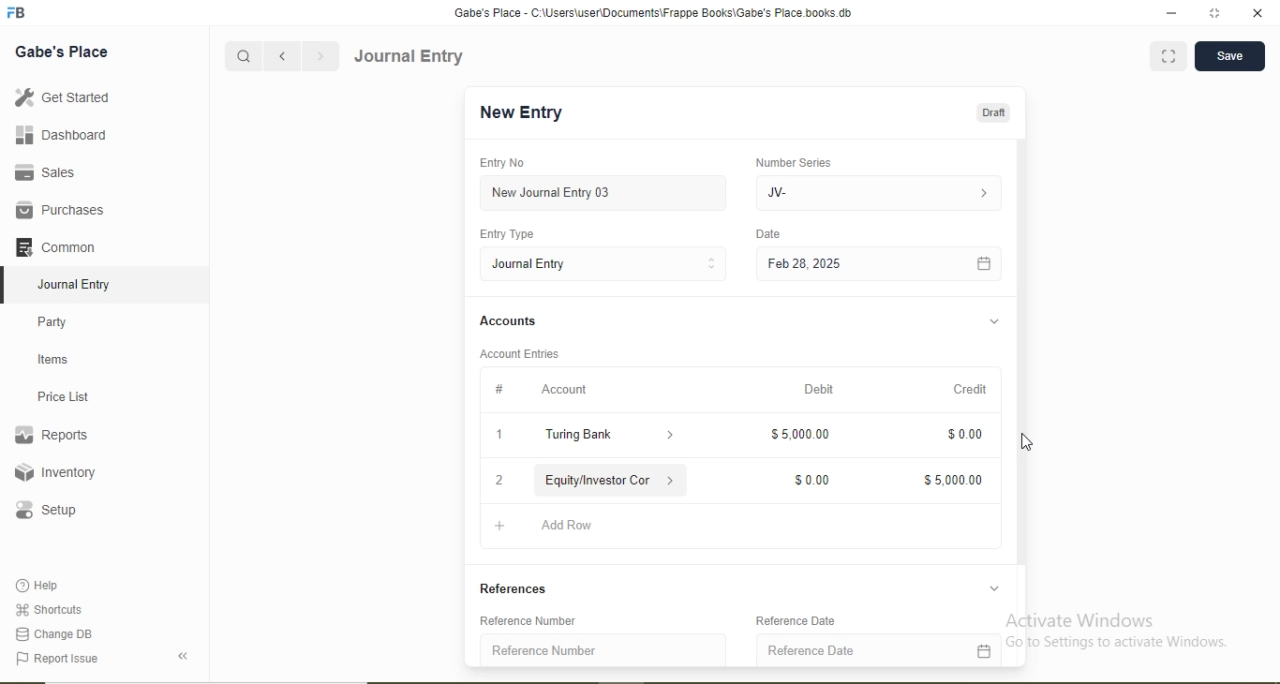 The image size is (1280, 684). I want to click on 1, so click(499, 434).